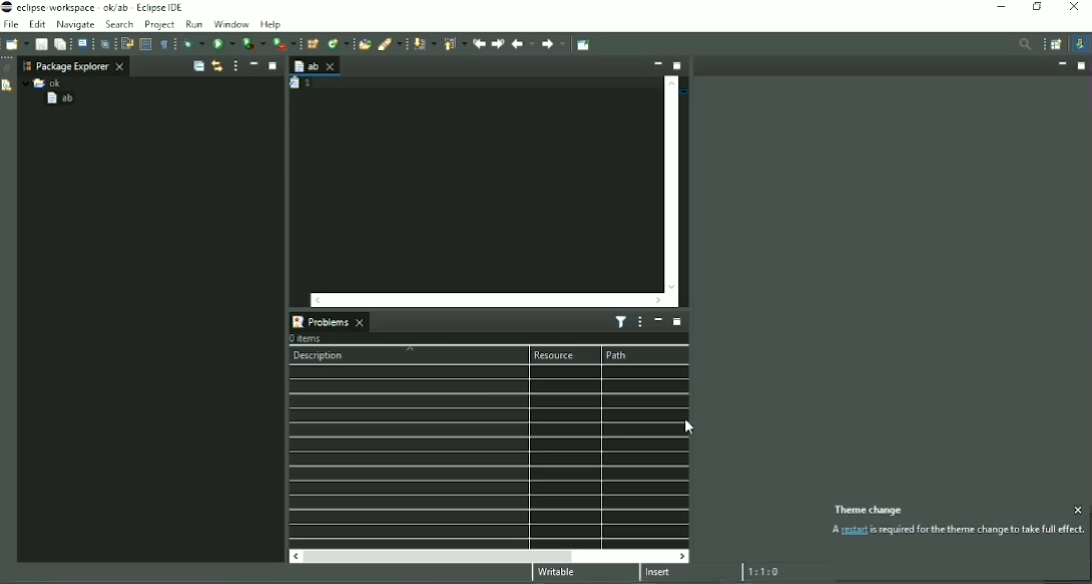 The width and height of the screenshot is (1092, 584). I want to click on Collapse All, so click(198, 66).